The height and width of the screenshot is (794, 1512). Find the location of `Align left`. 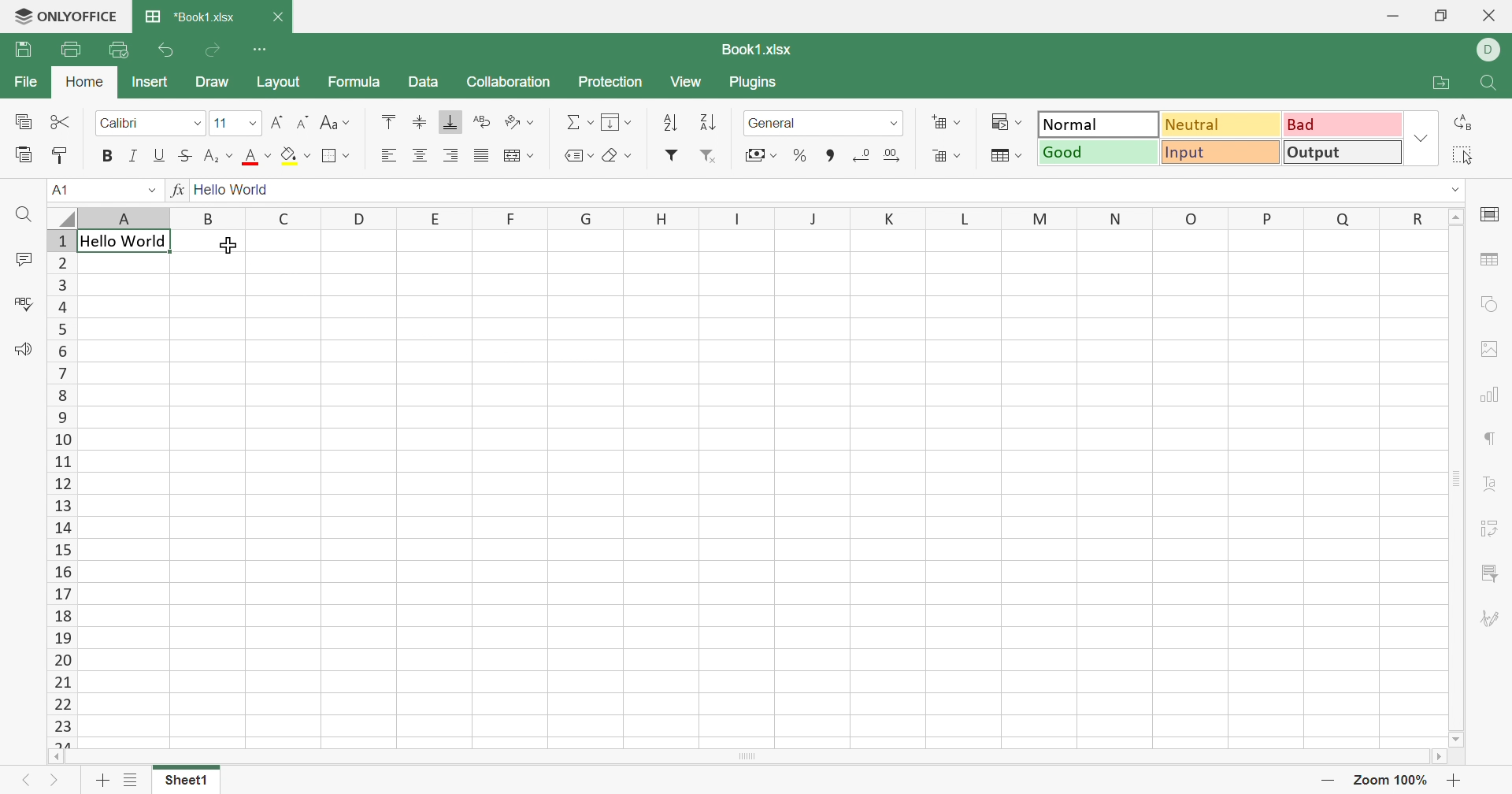

Align left is located at coordinates (391, 154).